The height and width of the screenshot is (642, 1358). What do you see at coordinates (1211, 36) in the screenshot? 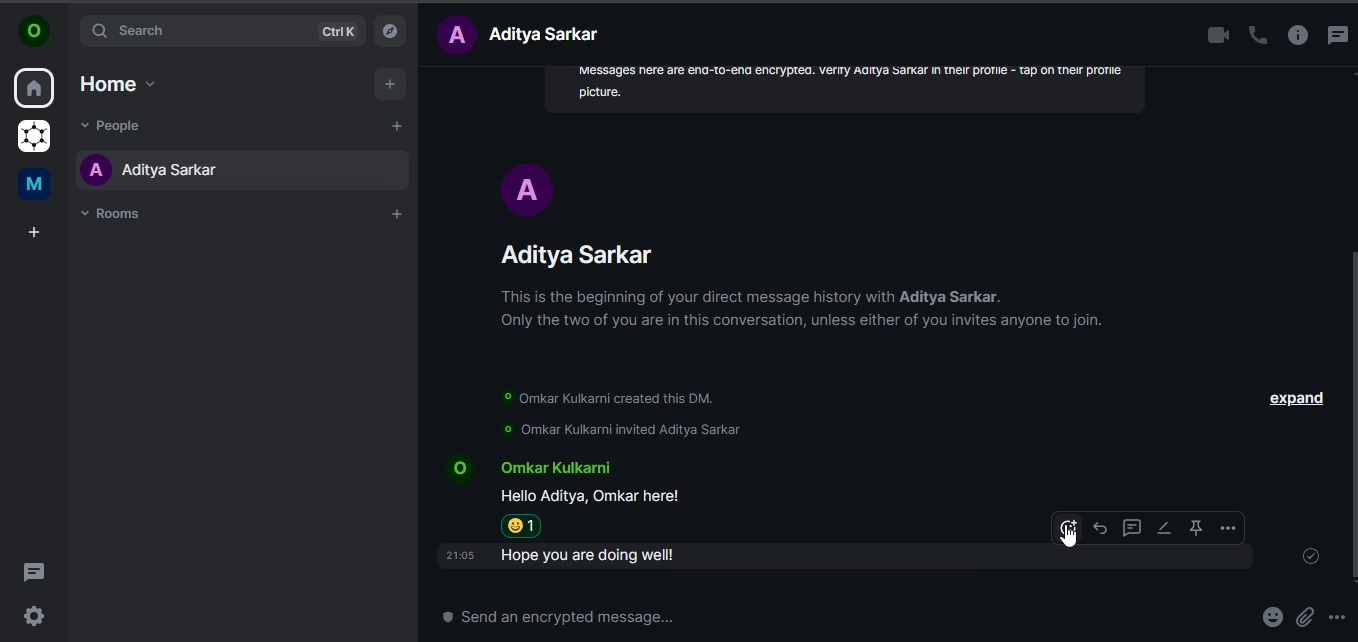
I see `video call` at bounding box center [1211, 36].